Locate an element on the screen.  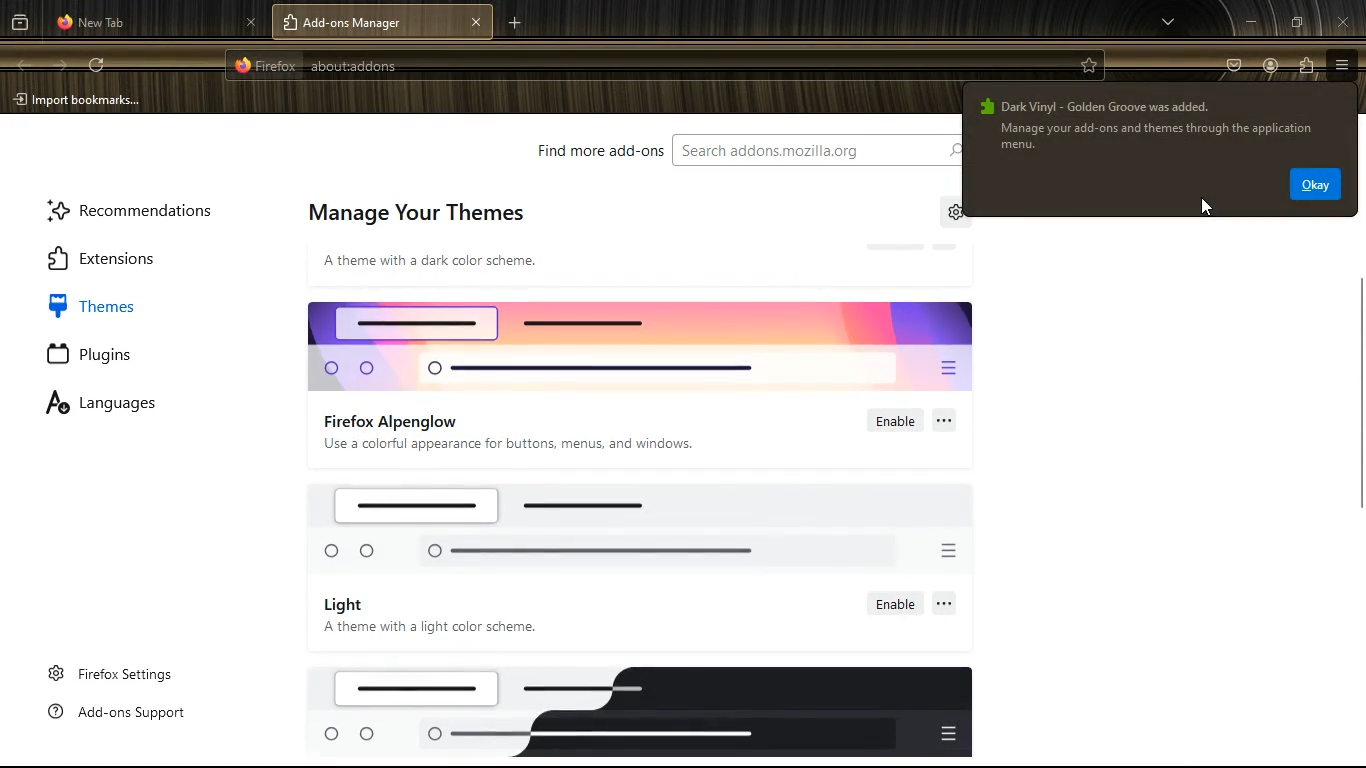
Use a colorful appearance for buttons, menus, and windows. is located at coordinates (514, 443).